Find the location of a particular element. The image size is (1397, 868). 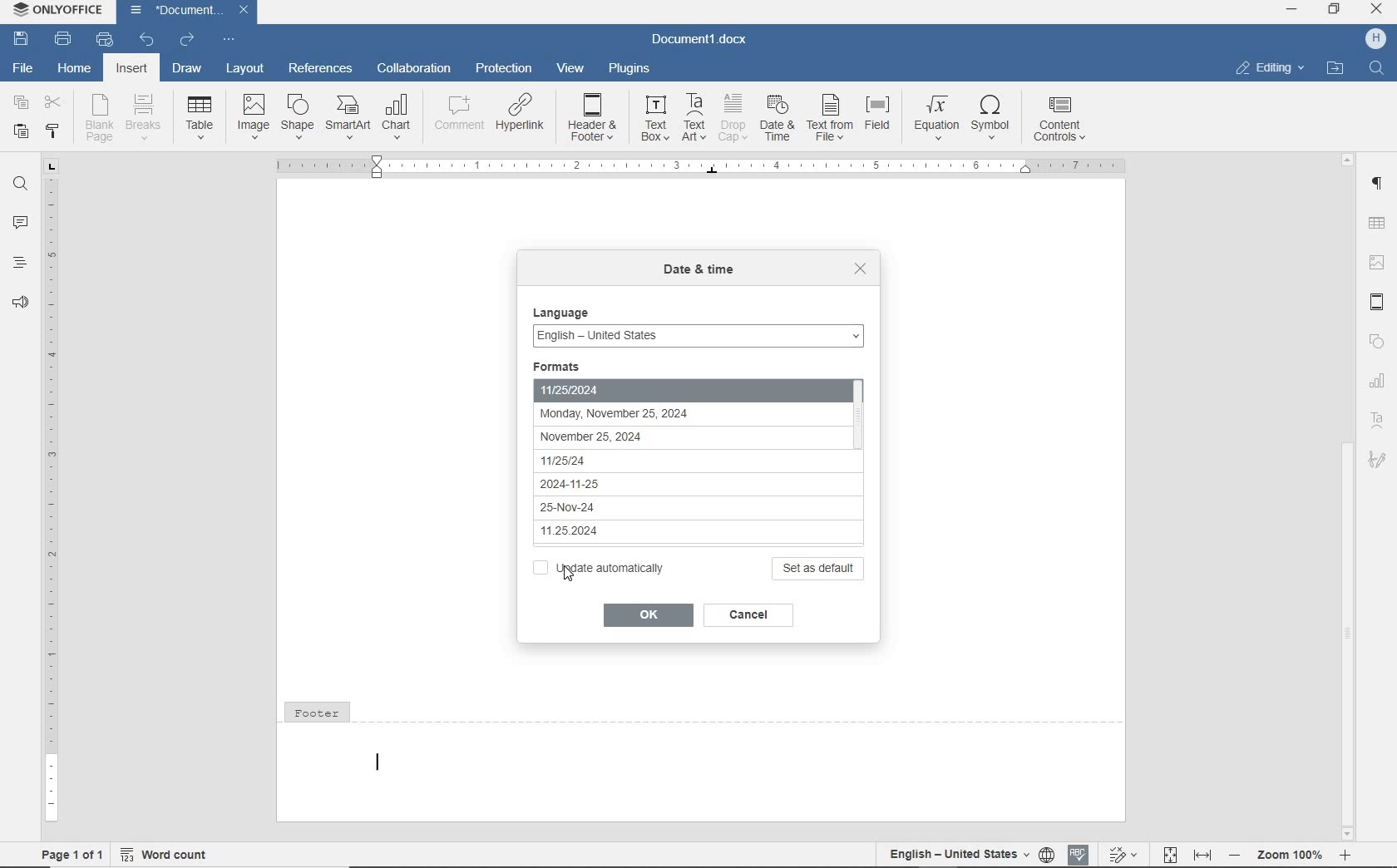

date & time is located at coordinates (778, 119).